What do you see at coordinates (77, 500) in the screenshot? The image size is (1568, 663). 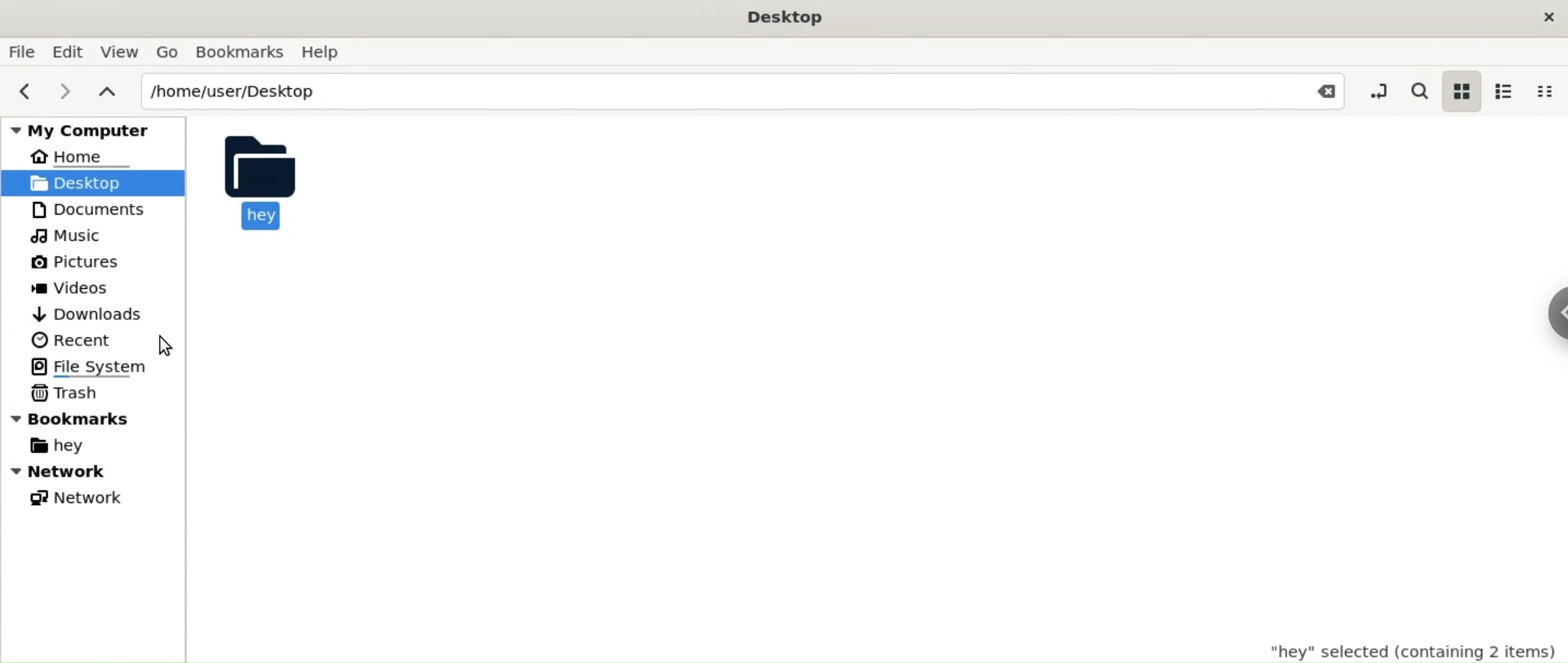 I see `Network` at bounding box center [77, 500].